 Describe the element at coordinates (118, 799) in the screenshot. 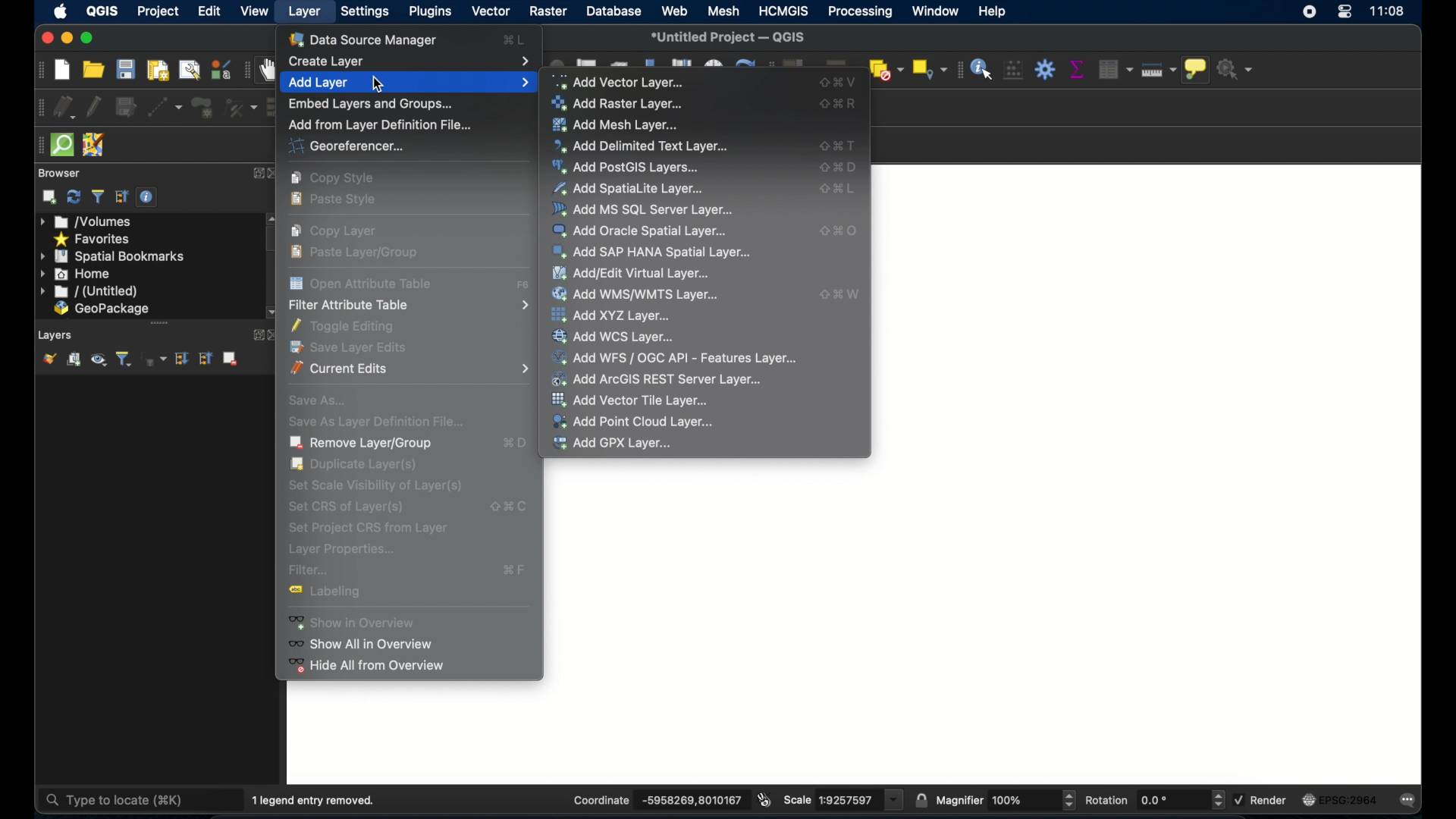

I see `type to locate` at that location.